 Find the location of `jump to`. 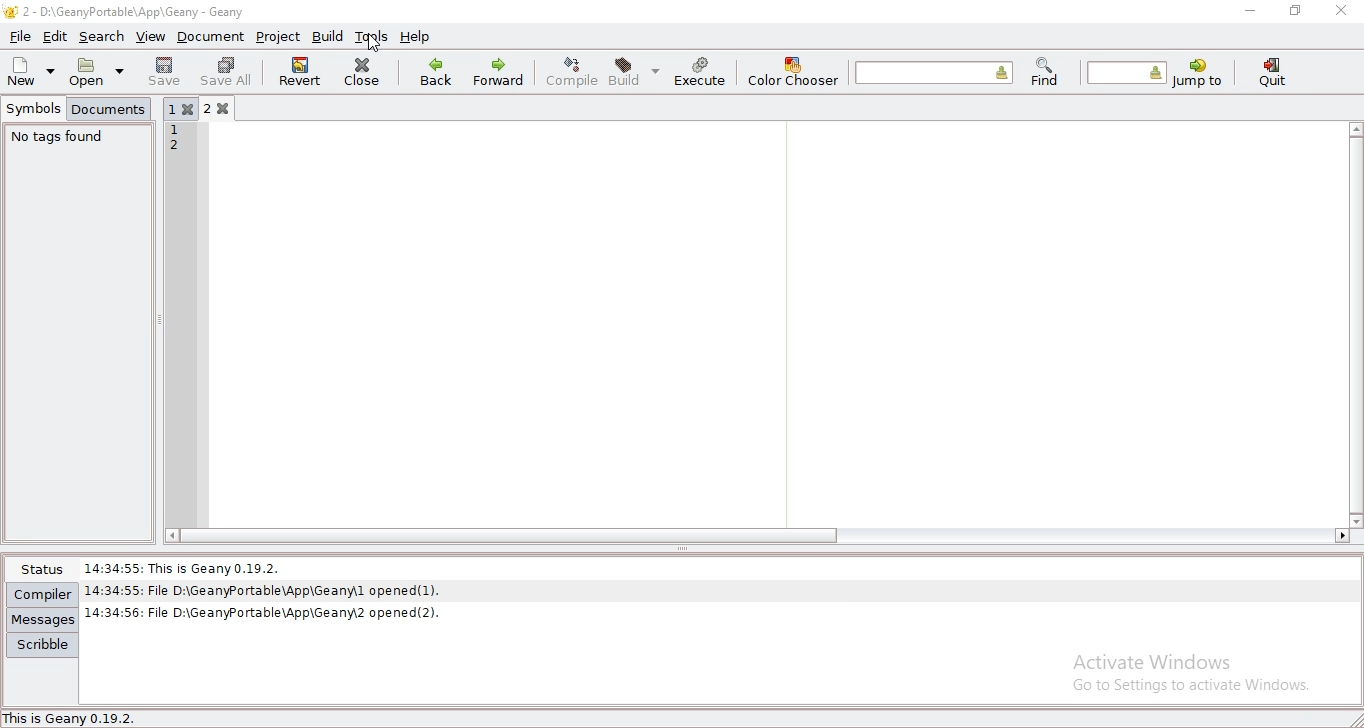

jump to is located at coordinates (1196, 74).